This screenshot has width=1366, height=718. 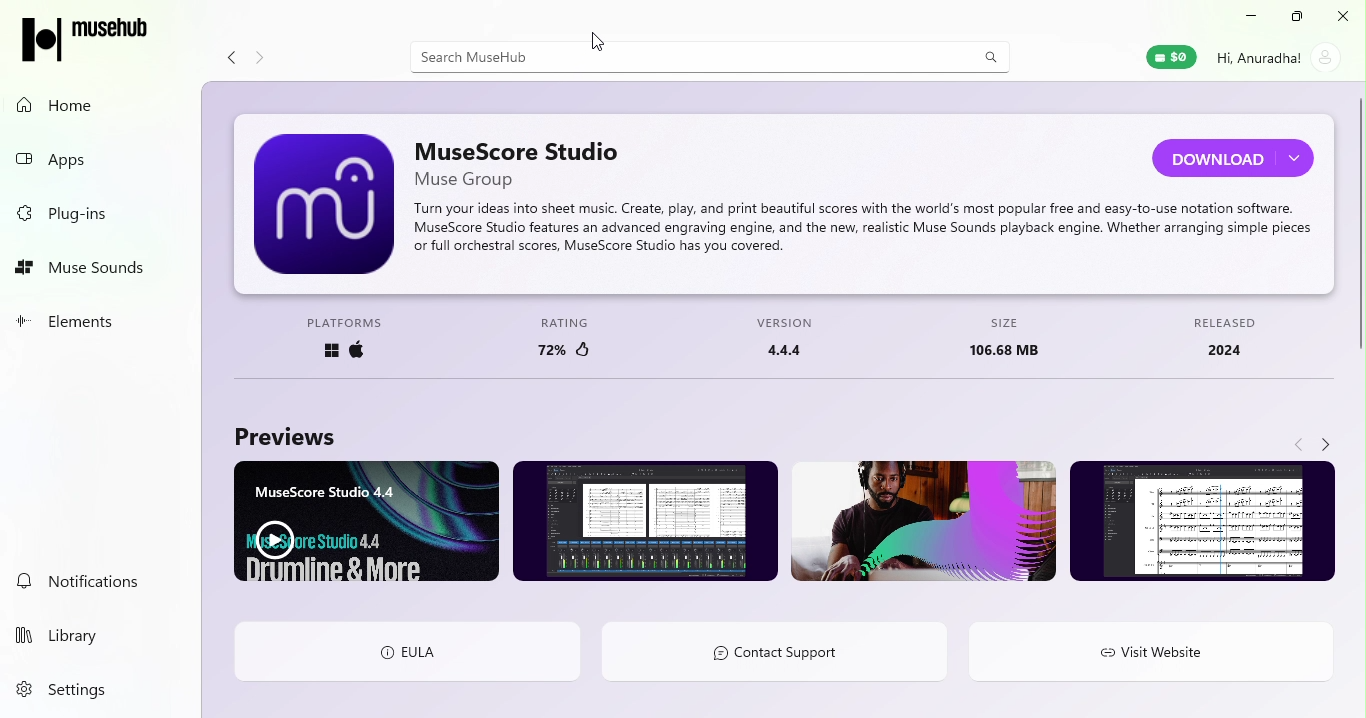 What do you see at coordinates (920, 523) in the screenshot?
I see `Preview image` at bounding box center [920, 523].